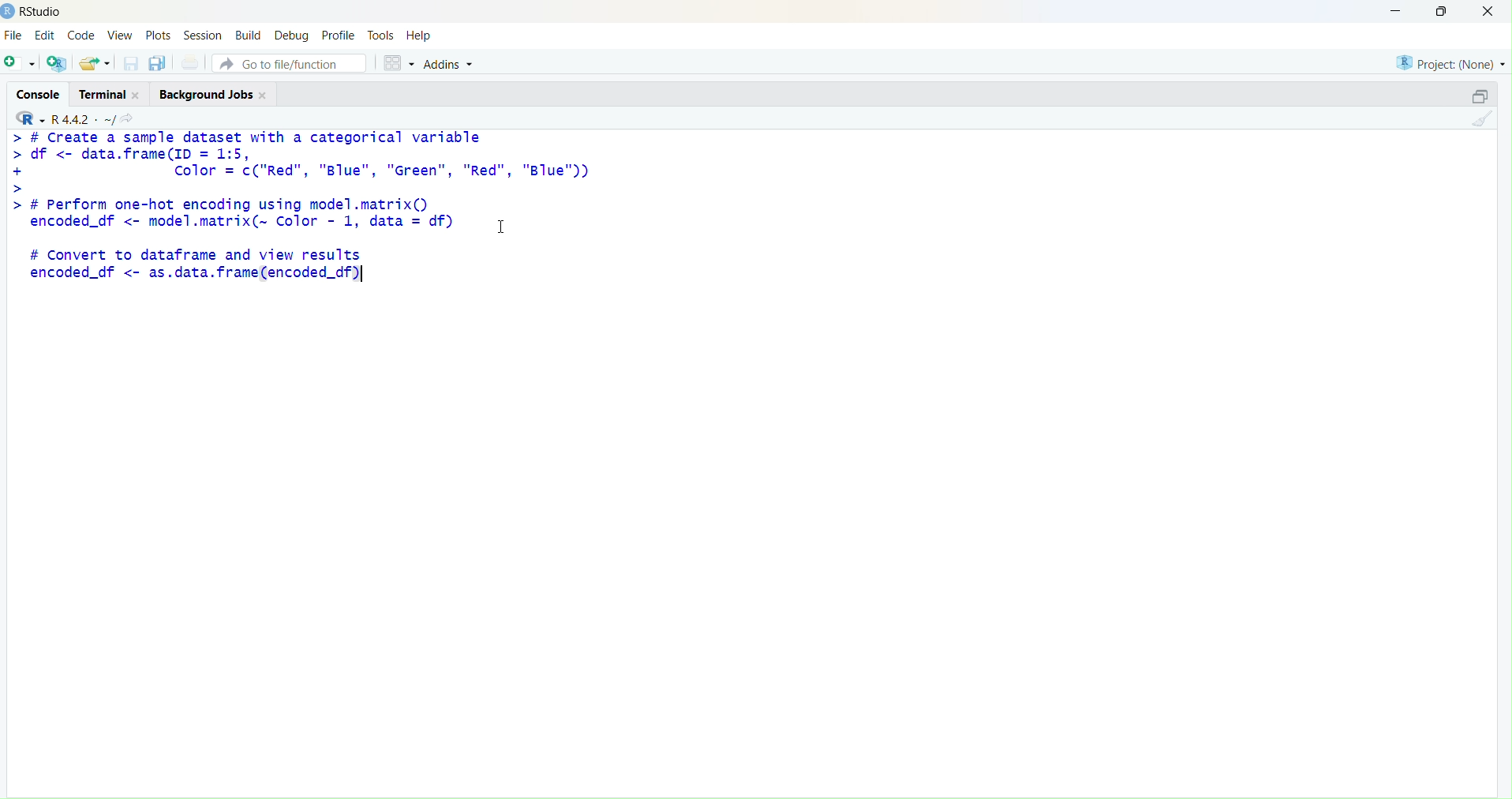 The width and height of the screenshot is (1512, 799). What do you see at coordinates (341, 36) in the screenshot?
I see `profile` at bounding box center [341, 36].